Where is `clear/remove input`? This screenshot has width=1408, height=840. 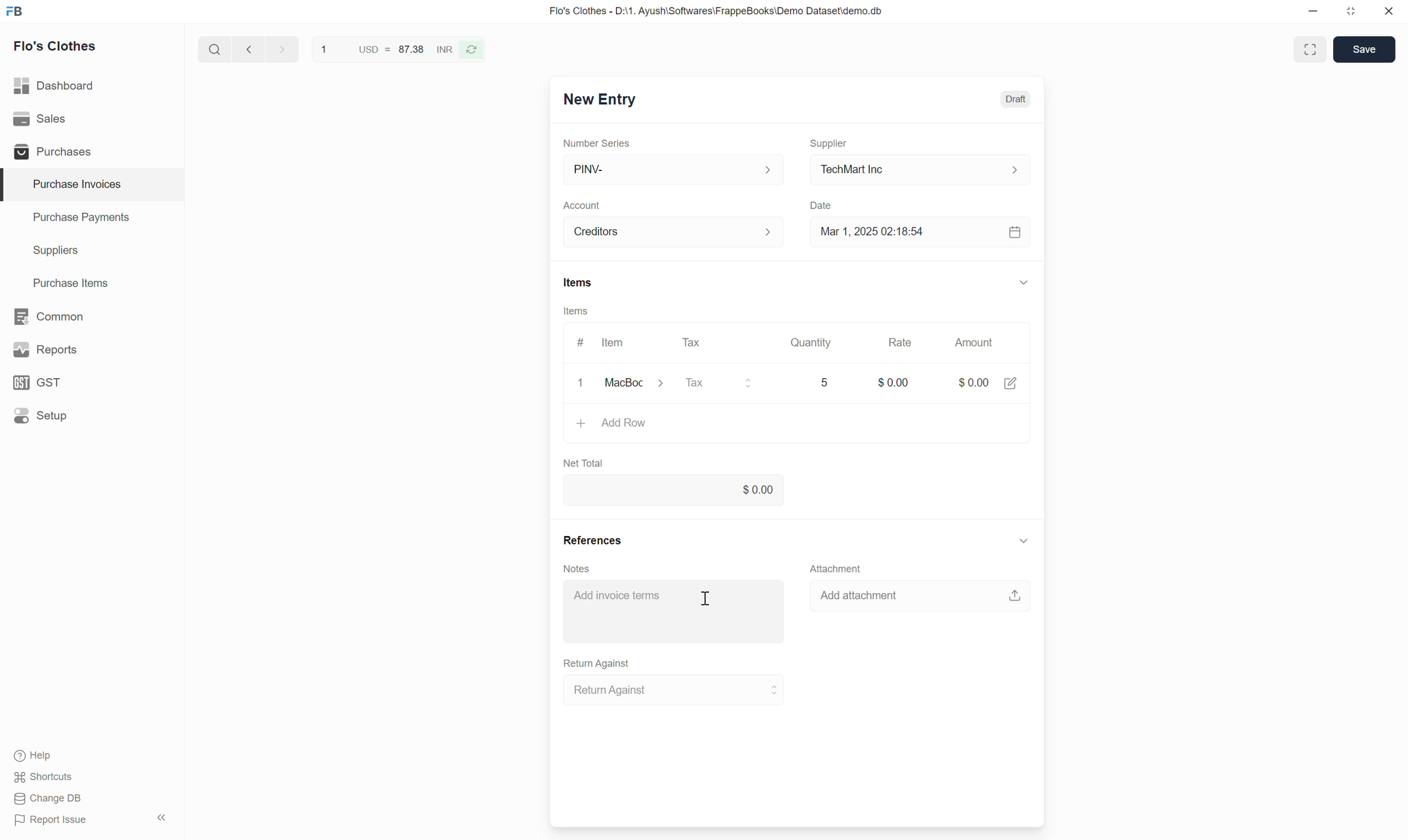
clear/remove input is located at coordinates (583, 384).